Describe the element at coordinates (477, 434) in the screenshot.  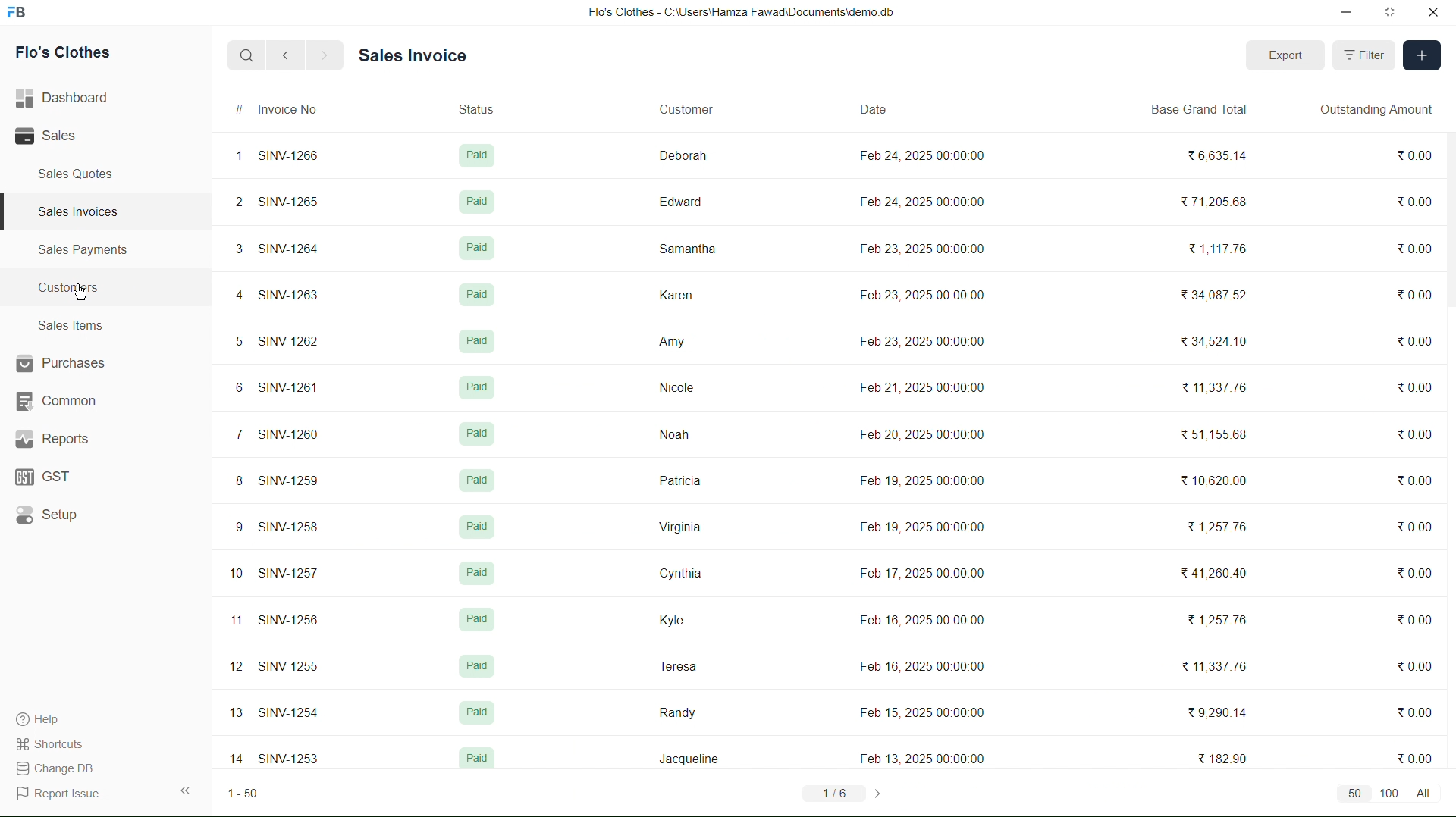
I see `Paid` at that location.